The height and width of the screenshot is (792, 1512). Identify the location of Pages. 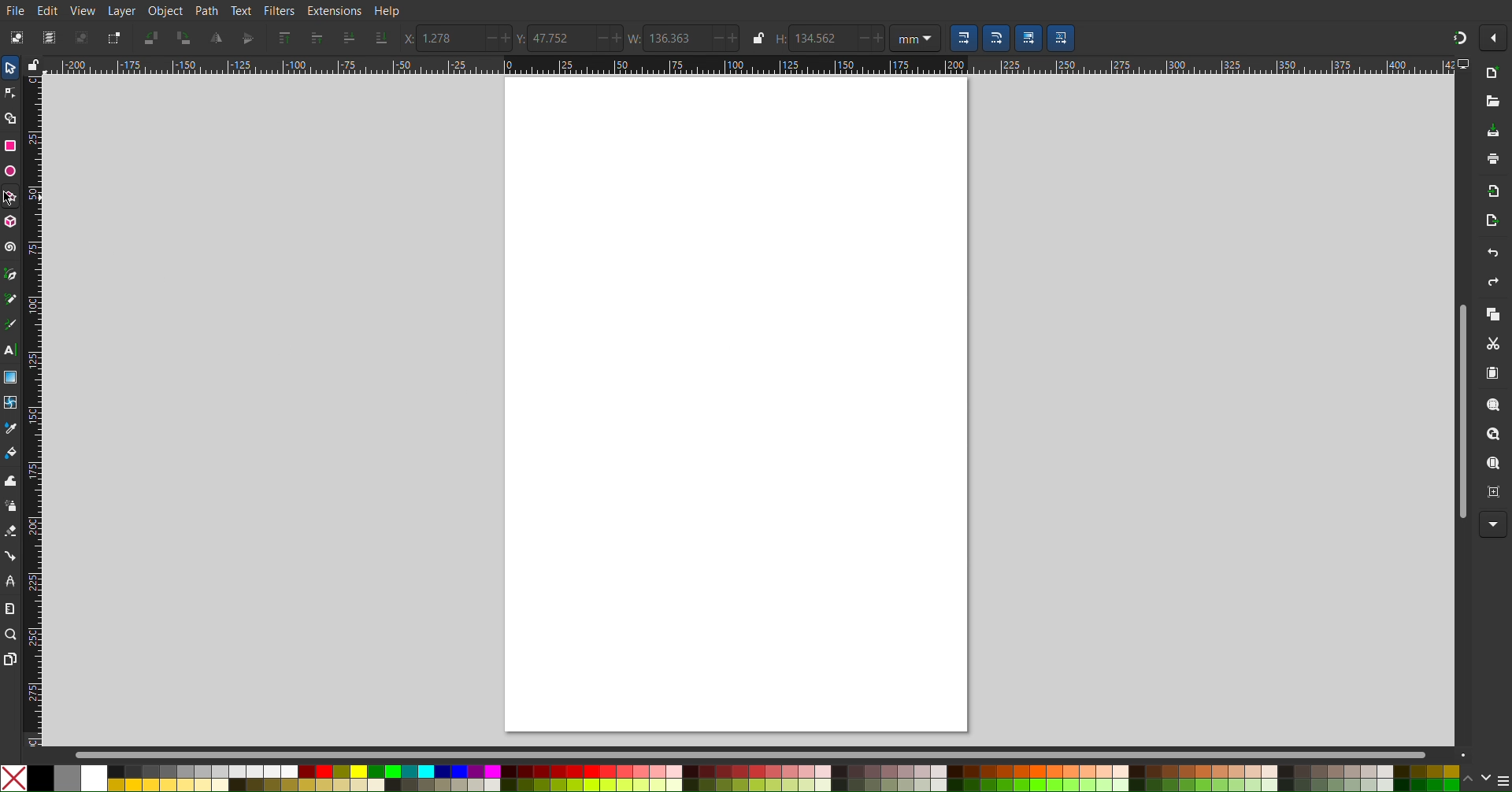
(9, 660).